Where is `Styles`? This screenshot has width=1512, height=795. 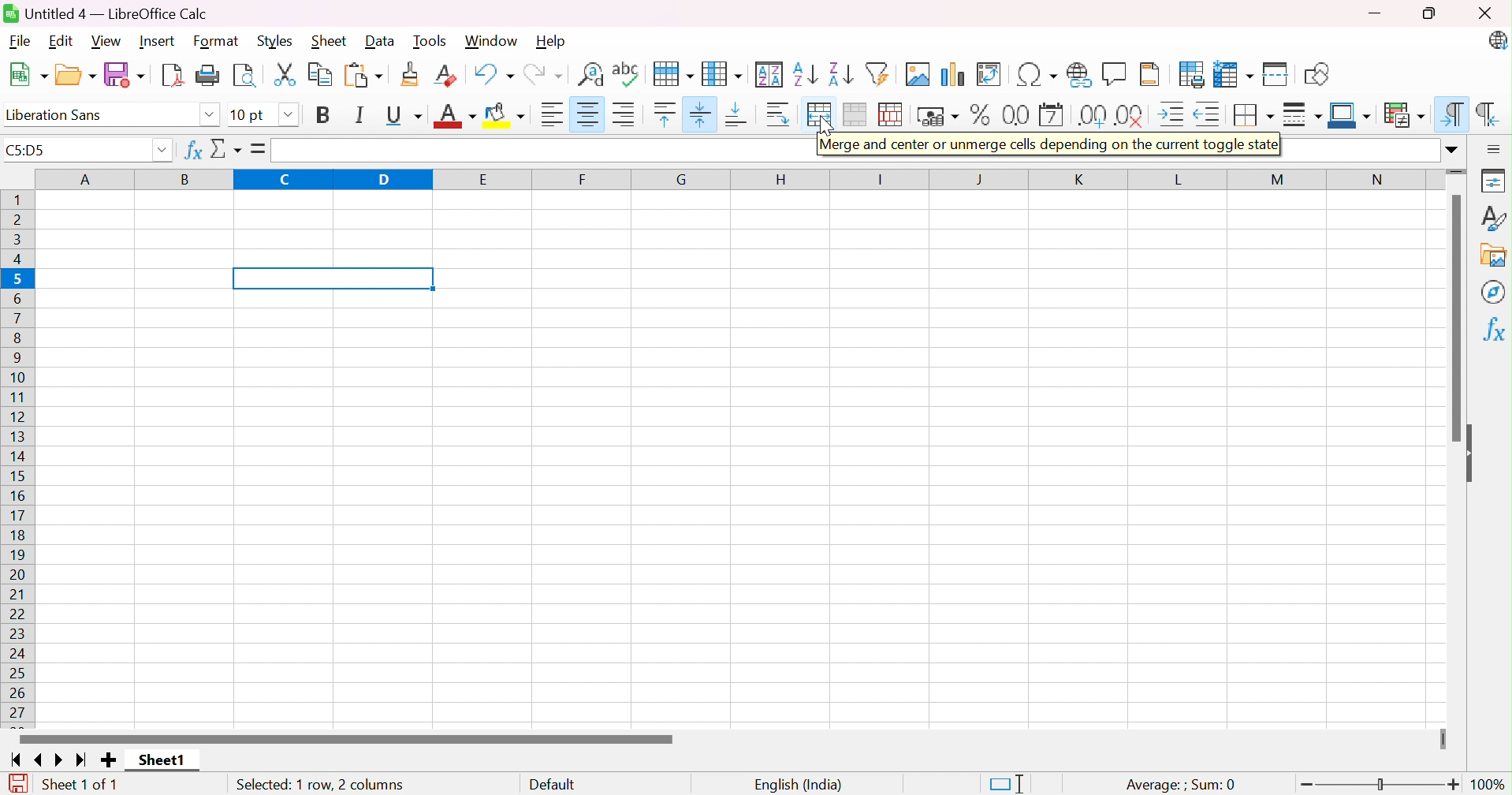
Styles is located at coordinates (1493, 216).